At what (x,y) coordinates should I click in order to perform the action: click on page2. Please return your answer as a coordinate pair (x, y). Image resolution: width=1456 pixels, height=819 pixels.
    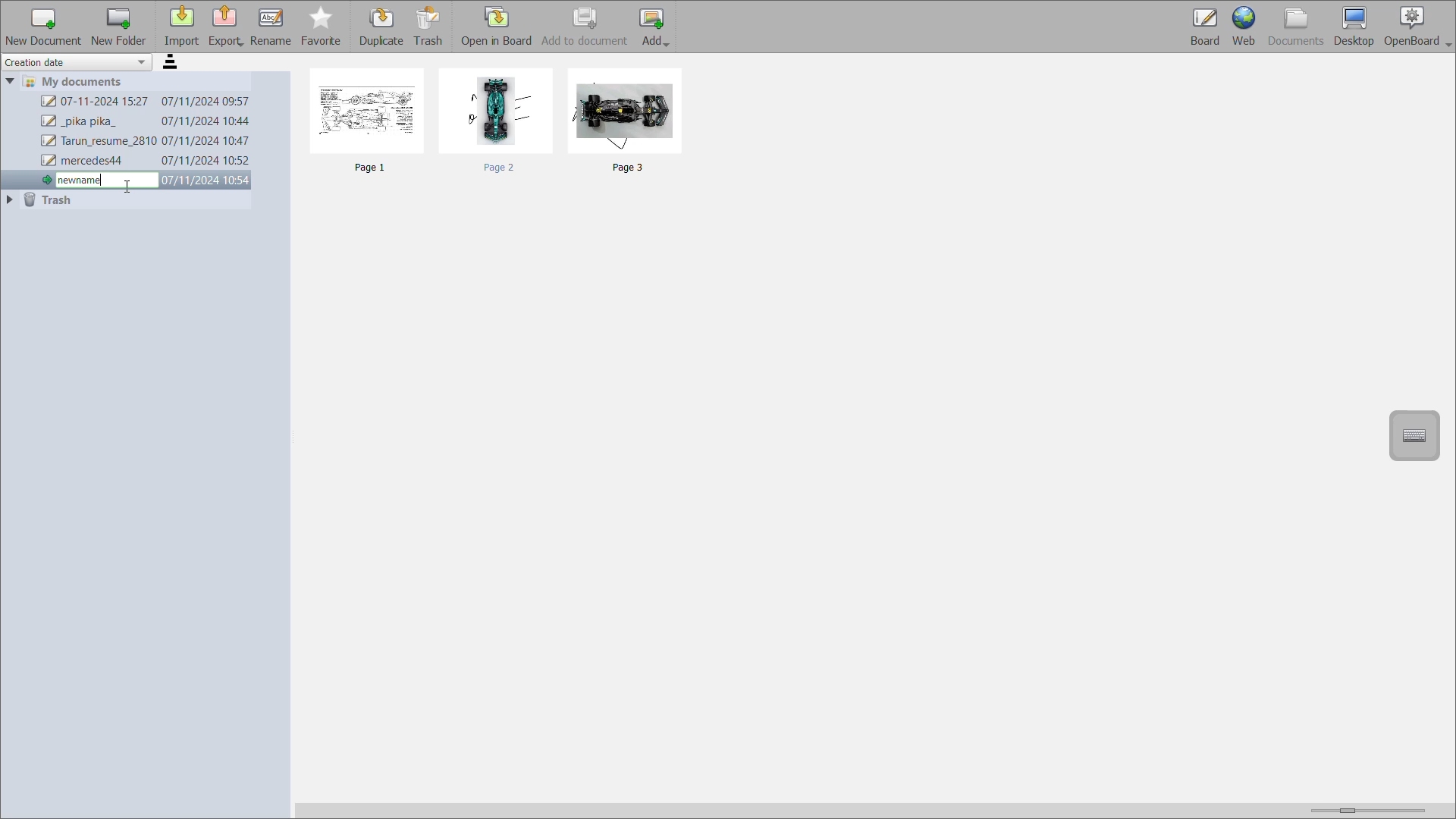
    Looking at the image, I should click on (499, 120).